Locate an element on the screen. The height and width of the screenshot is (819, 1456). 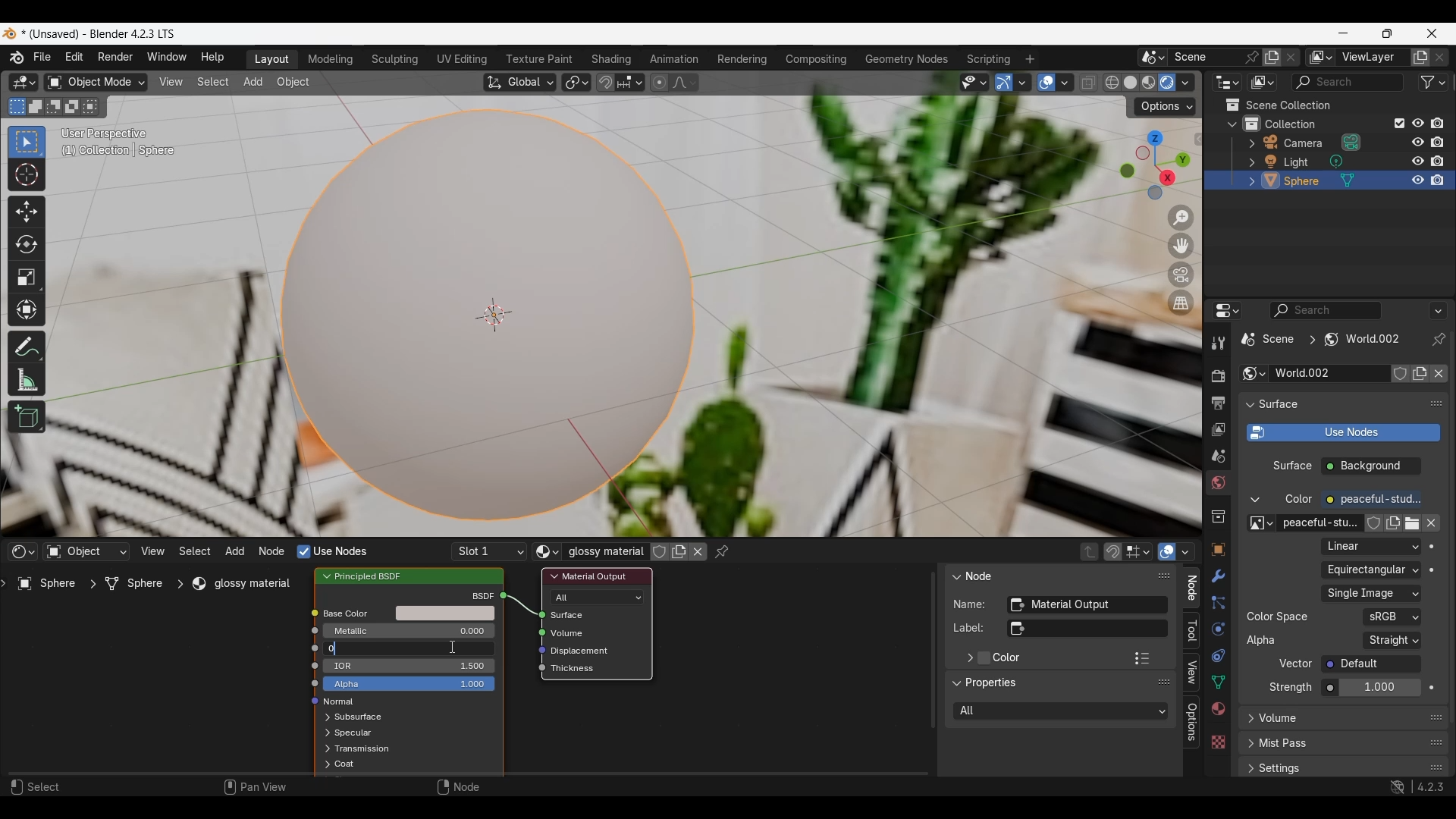
Gizmo options is located at coordinates (1021, 83).